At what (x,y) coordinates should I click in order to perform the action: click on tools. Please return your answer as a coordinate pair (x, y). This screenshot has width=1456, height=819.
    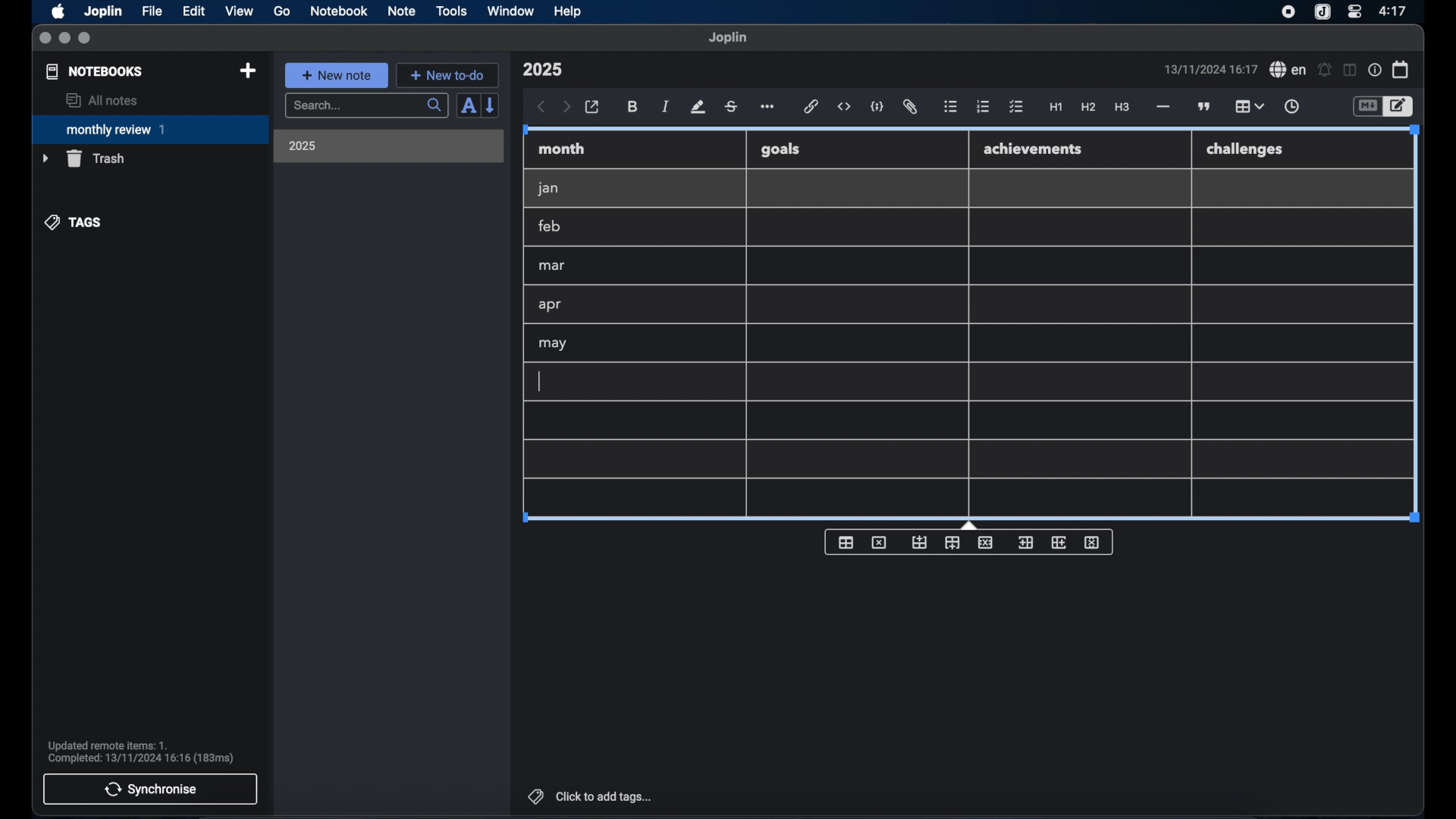
    Looking at the image, I should click on (451, 11).